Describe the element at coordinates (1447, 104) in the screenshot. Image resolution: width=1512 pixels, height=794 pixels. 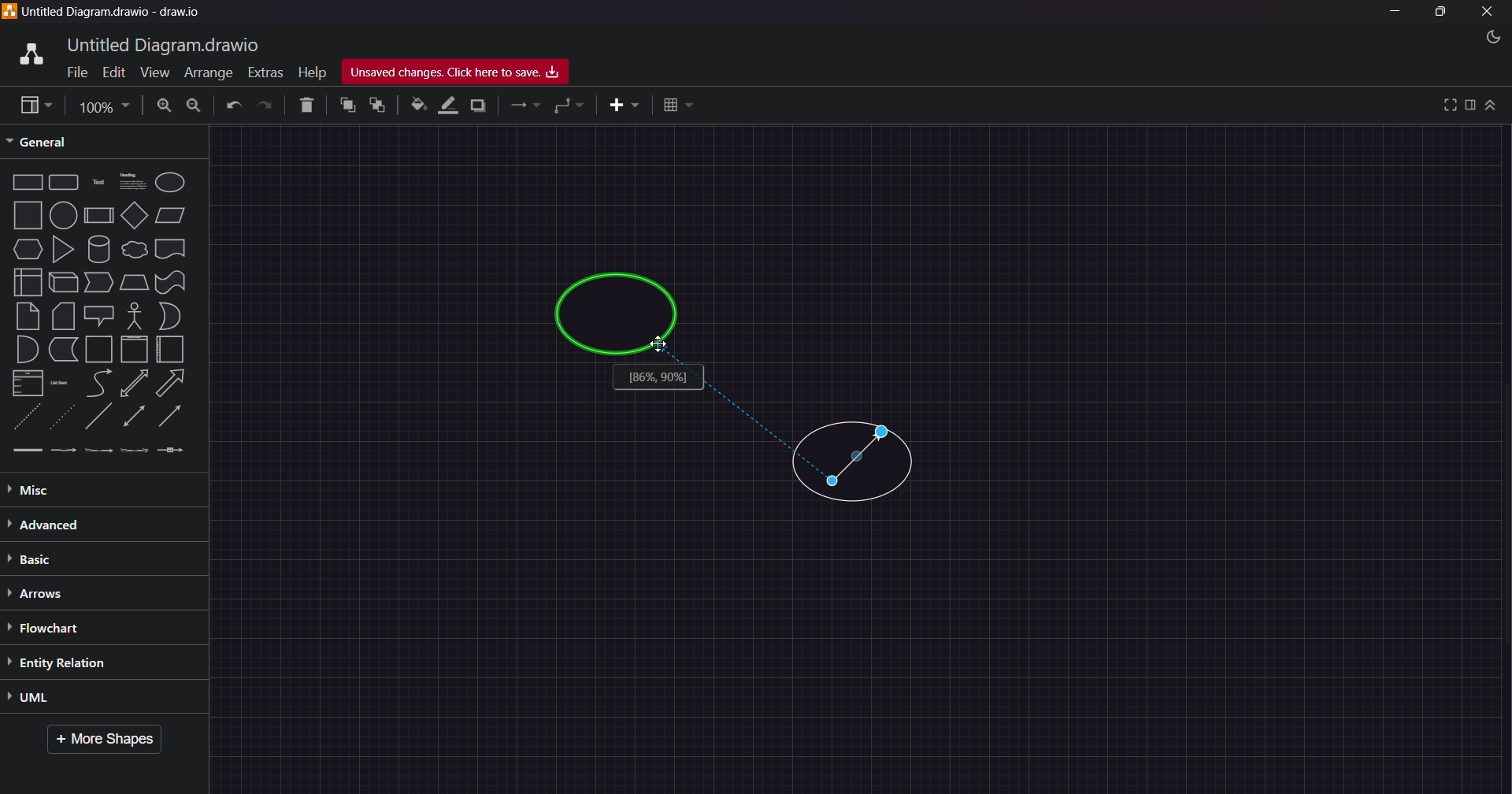
I see `view full screen` at that location.